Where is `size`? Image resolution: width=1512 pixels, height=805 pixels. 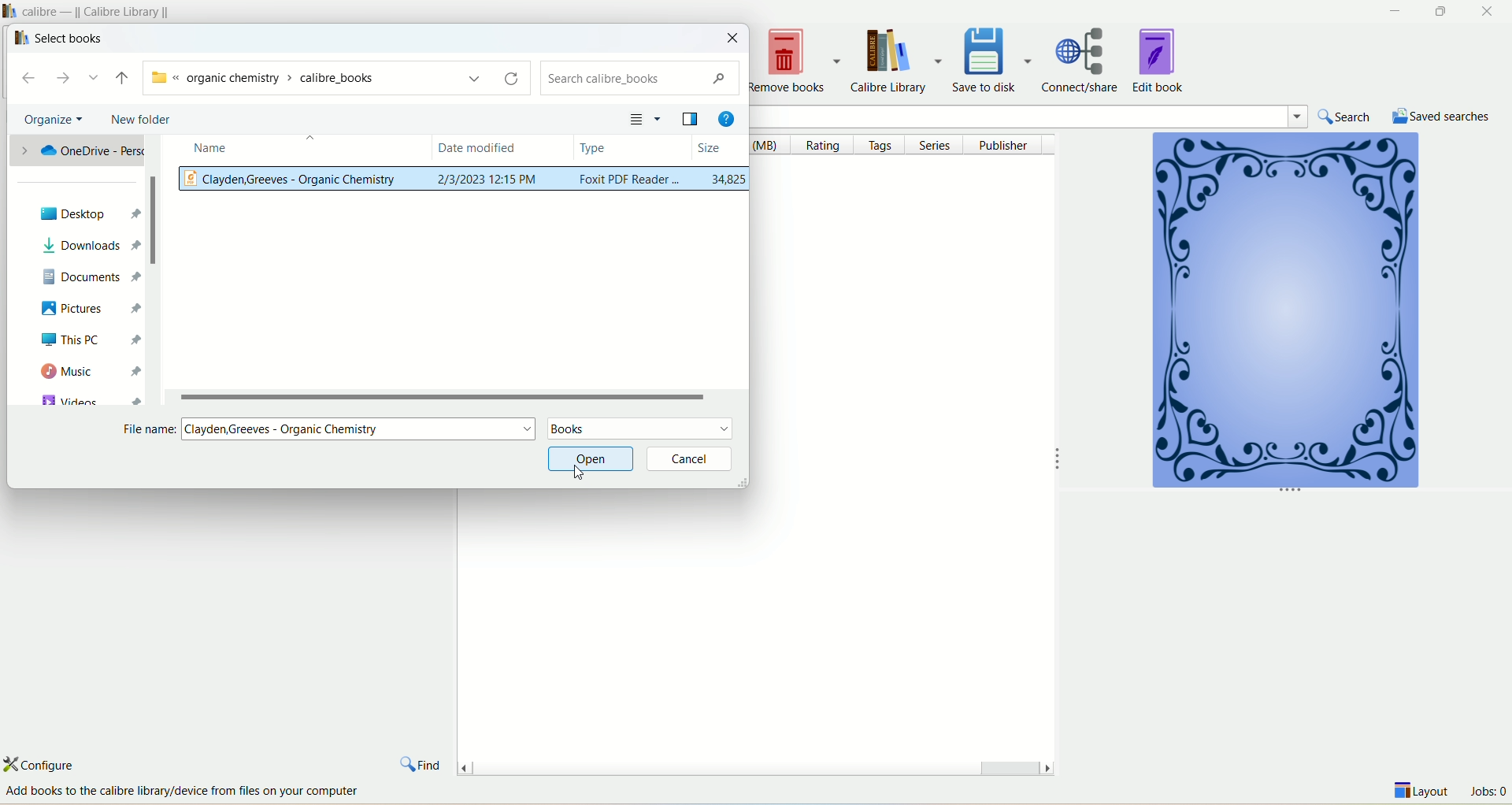 size is located at coordinates (719, 147).